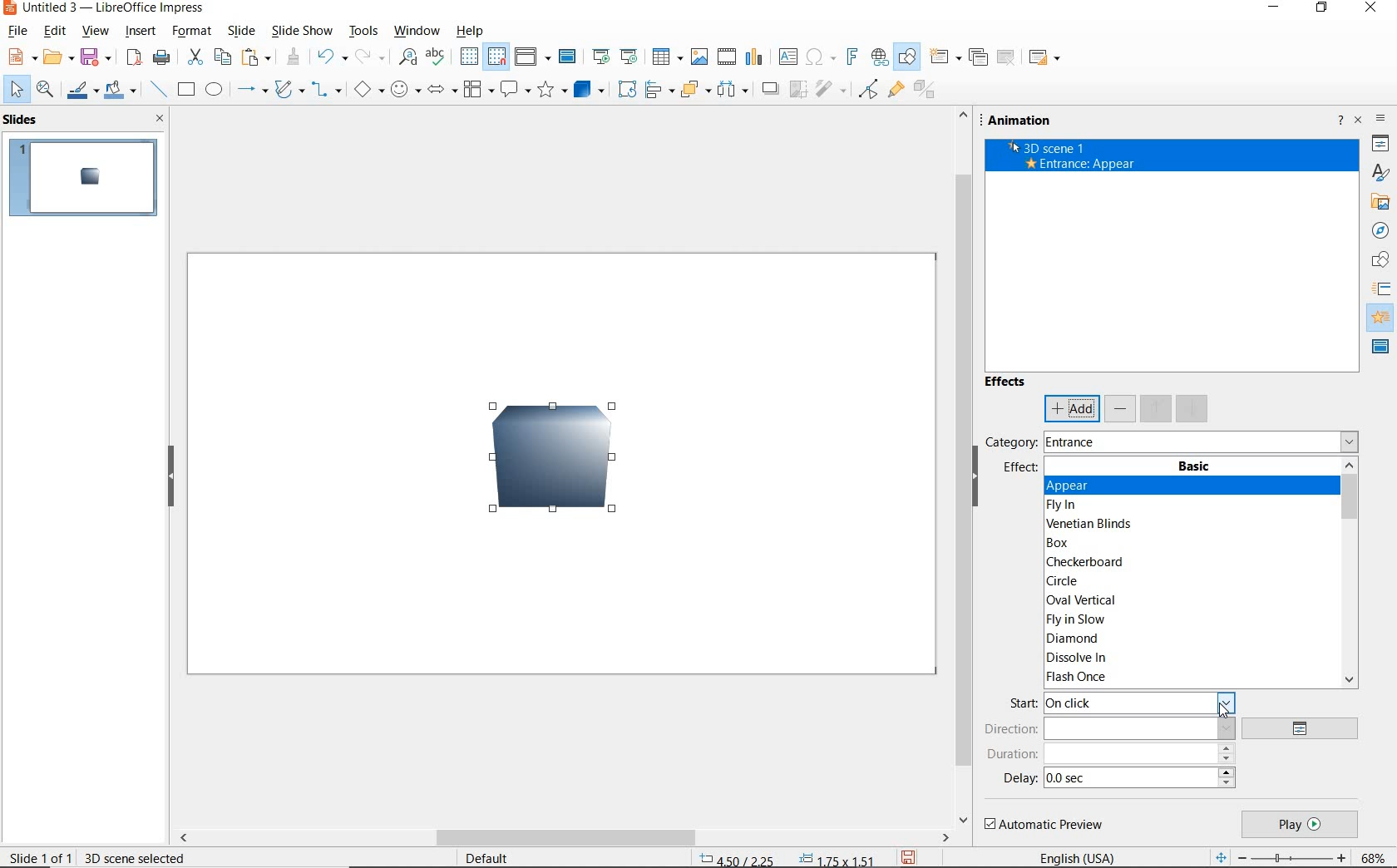 This screenshot has height=868, width=1397. What do you see at coordinates (1111, 753) in the screenshot?
I see `duration` at bounding box center [1111, 753].